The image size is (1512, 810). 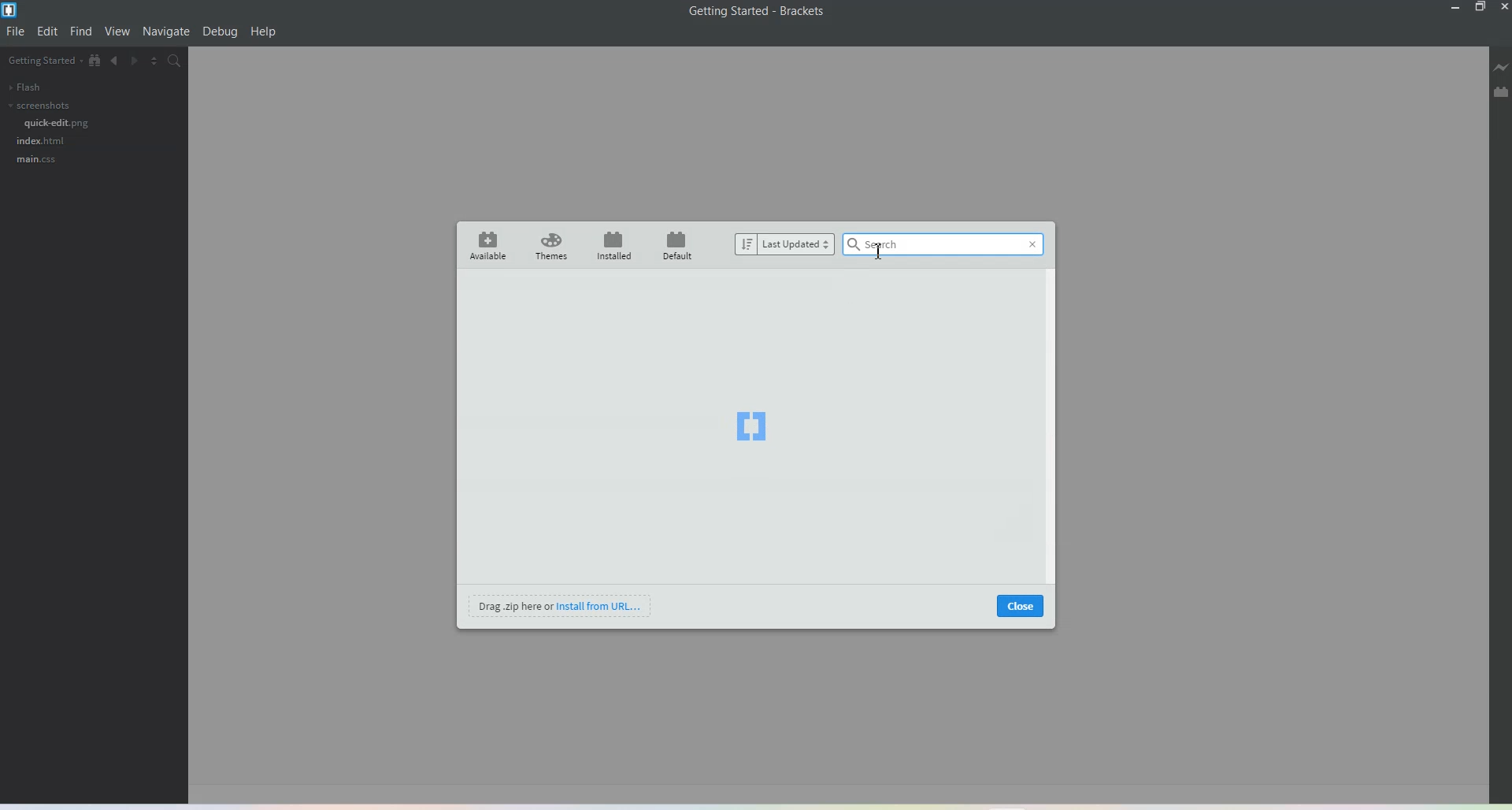 I want to click on Split the editor vertically or Horizontally, so click(x=158, y=62).